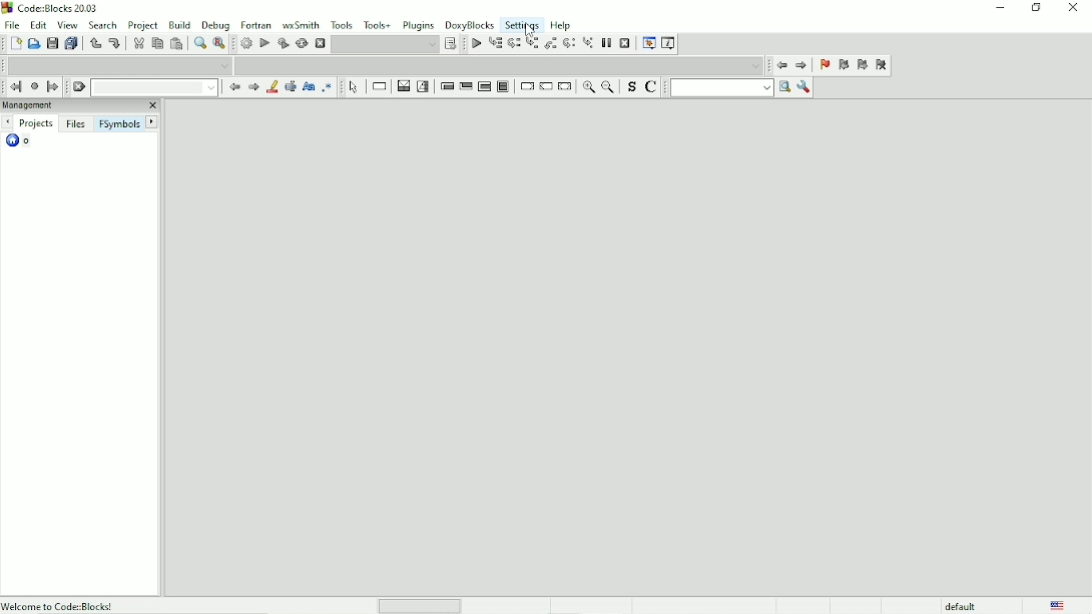 The image size is (1092, 614). I want to click on DoxyBlocks, so click(468, 25).